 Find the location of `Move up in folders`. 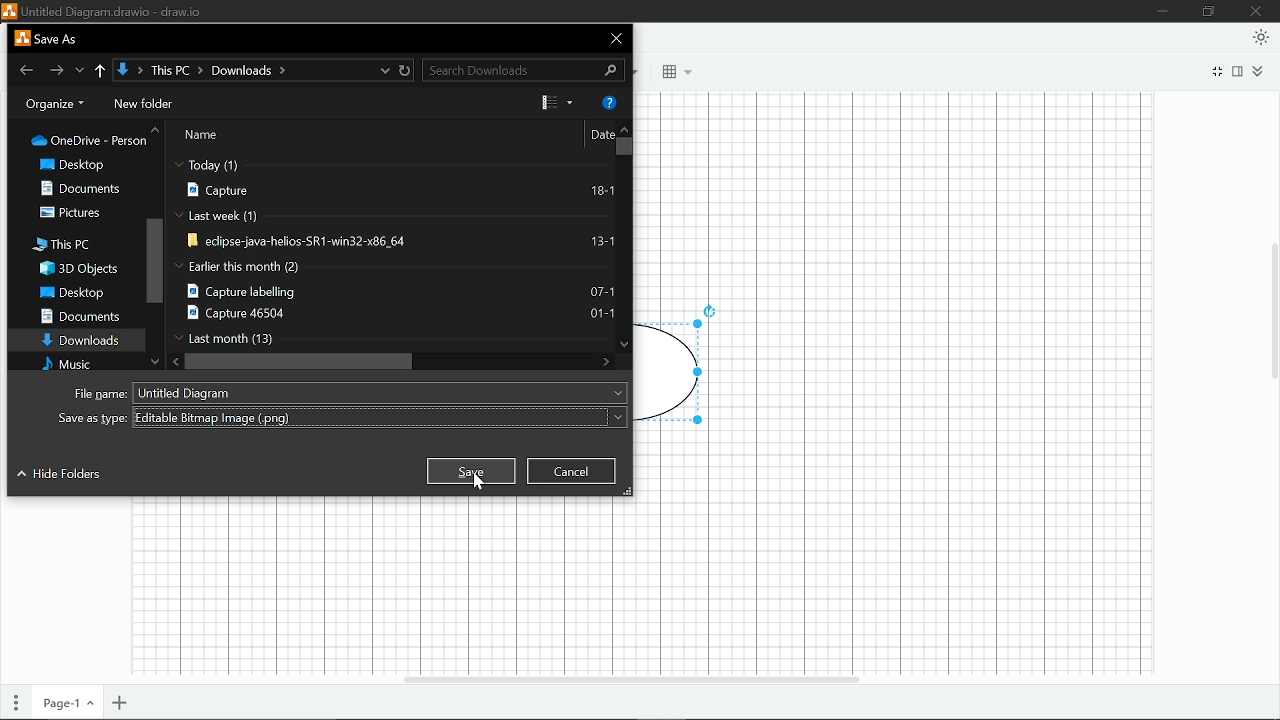

Move up in folders is located at coordinates (157, 129).